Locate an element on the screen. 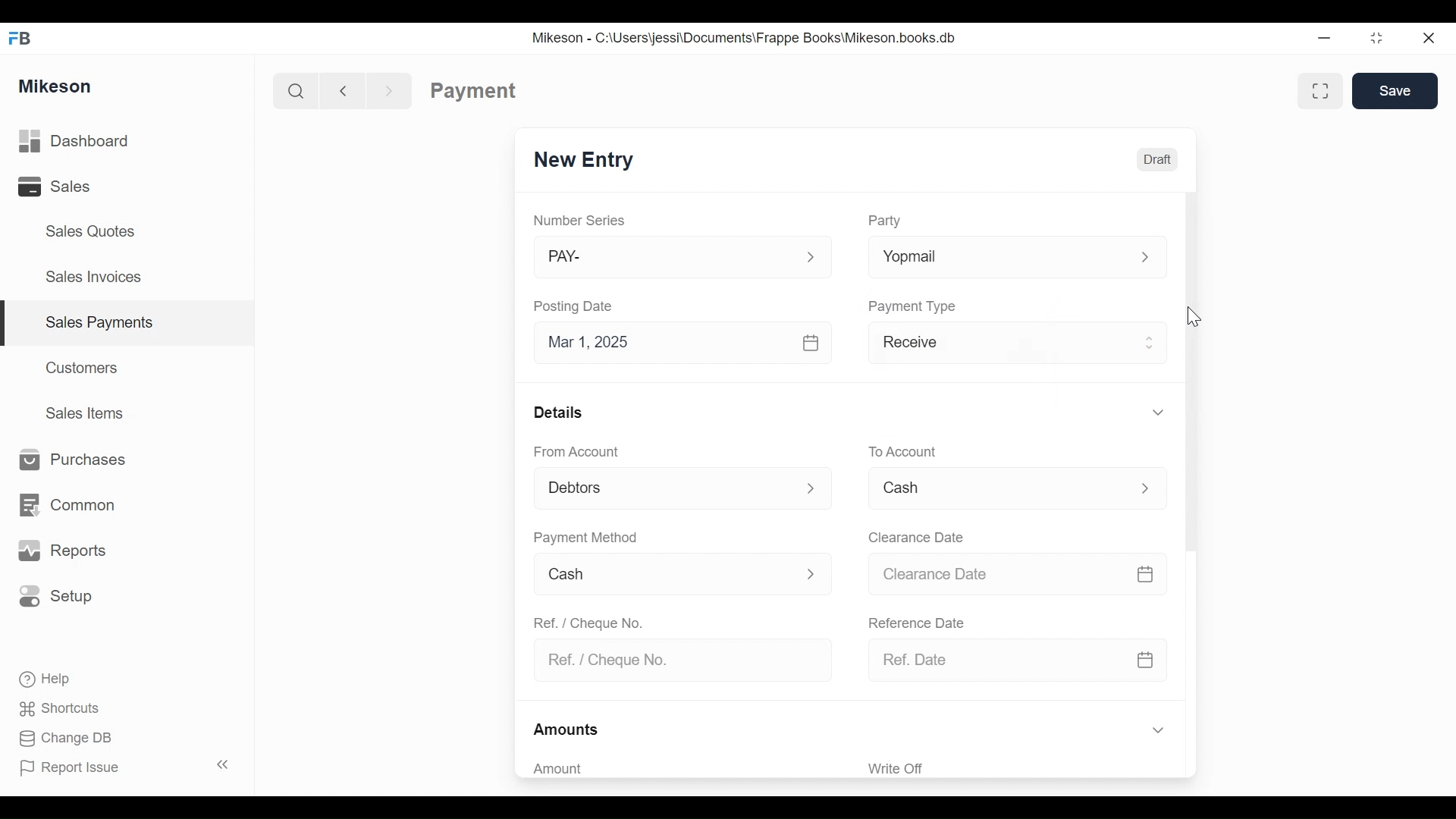  From Account is located at coordinates (580, 451).